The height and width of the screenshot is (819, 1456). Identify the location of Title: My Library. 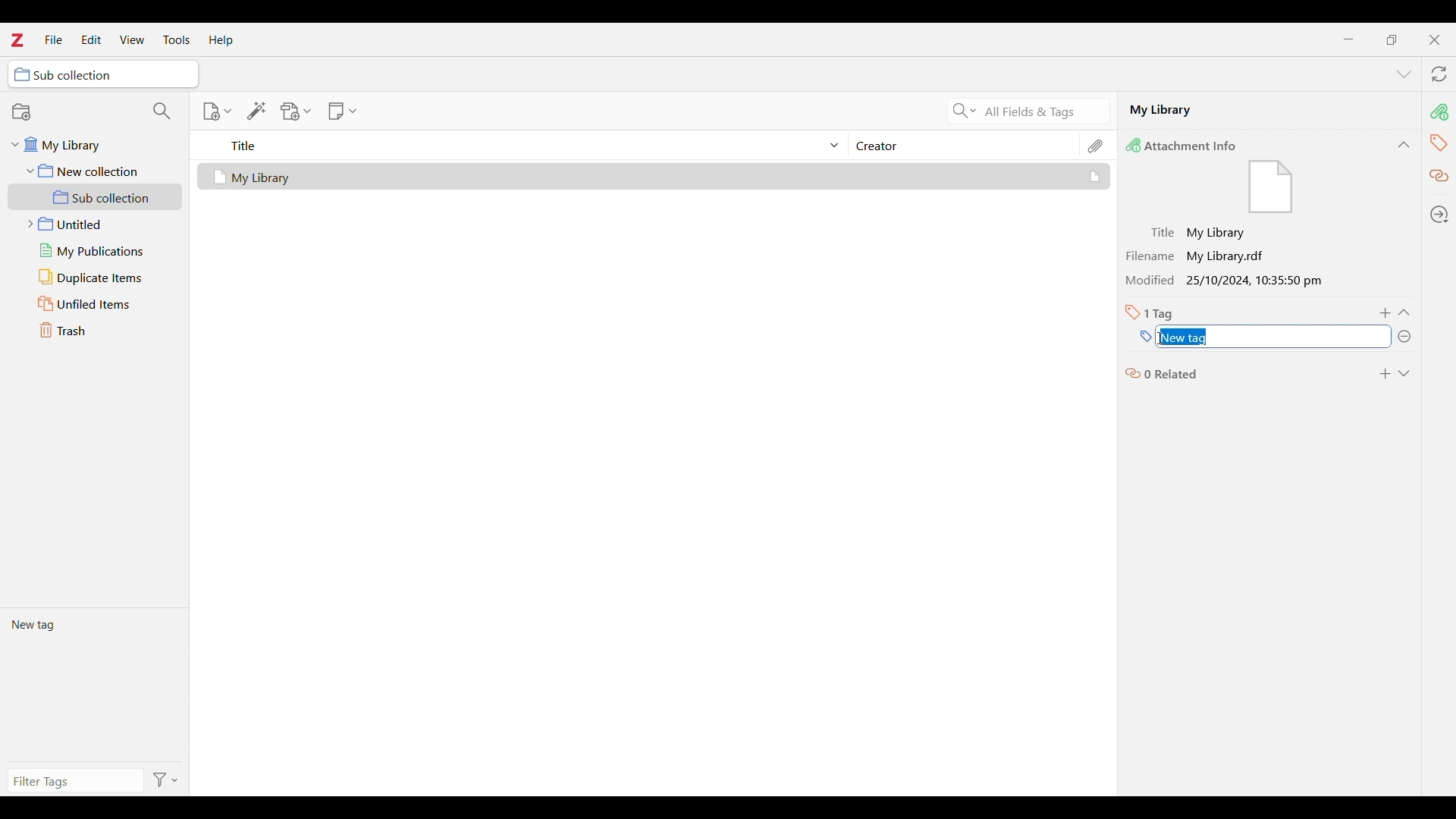
(1200, 233).